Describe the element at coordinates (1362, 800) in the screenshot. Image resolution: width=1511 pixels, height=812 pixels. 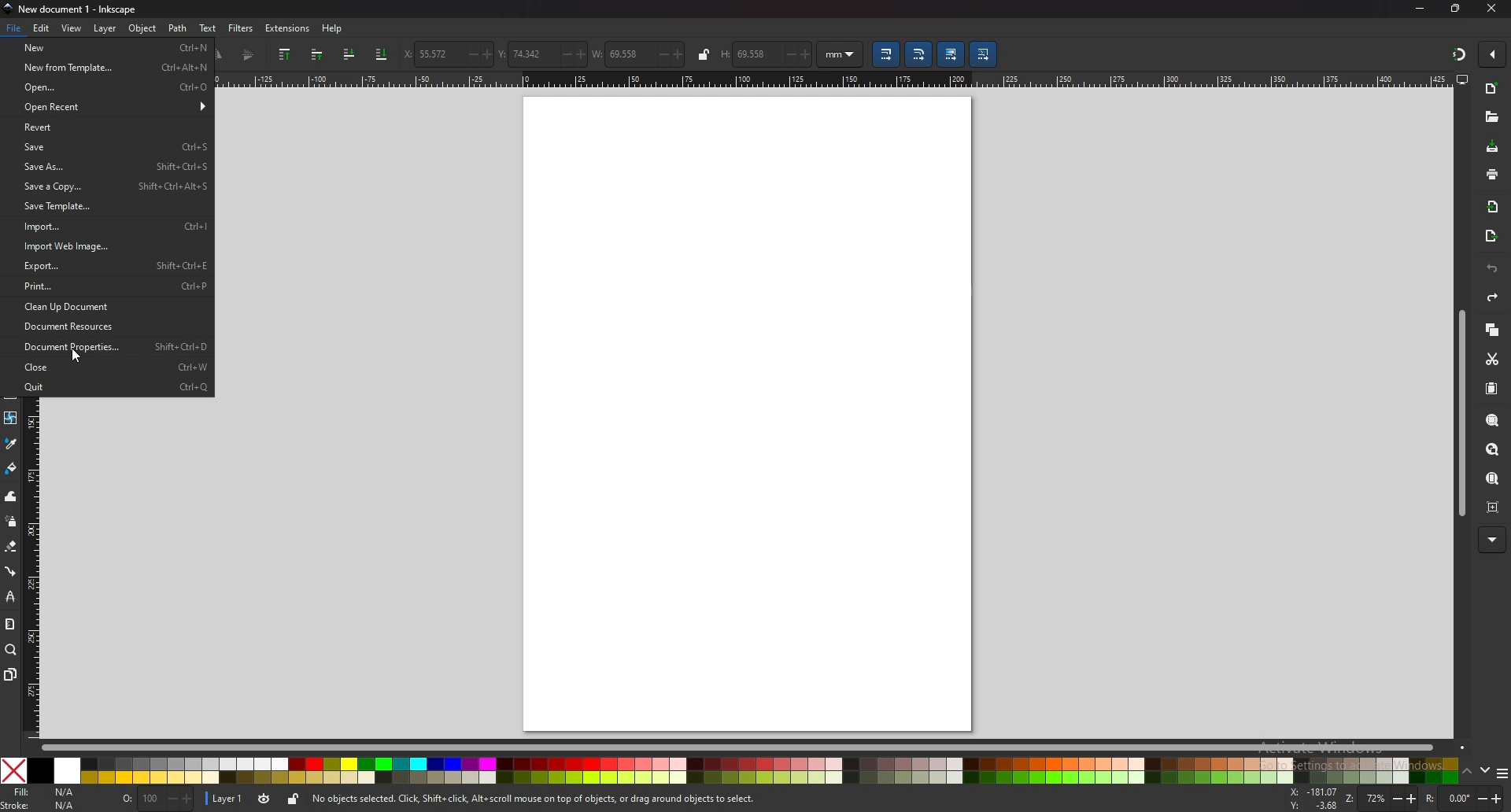
I see `zoom` at that location.